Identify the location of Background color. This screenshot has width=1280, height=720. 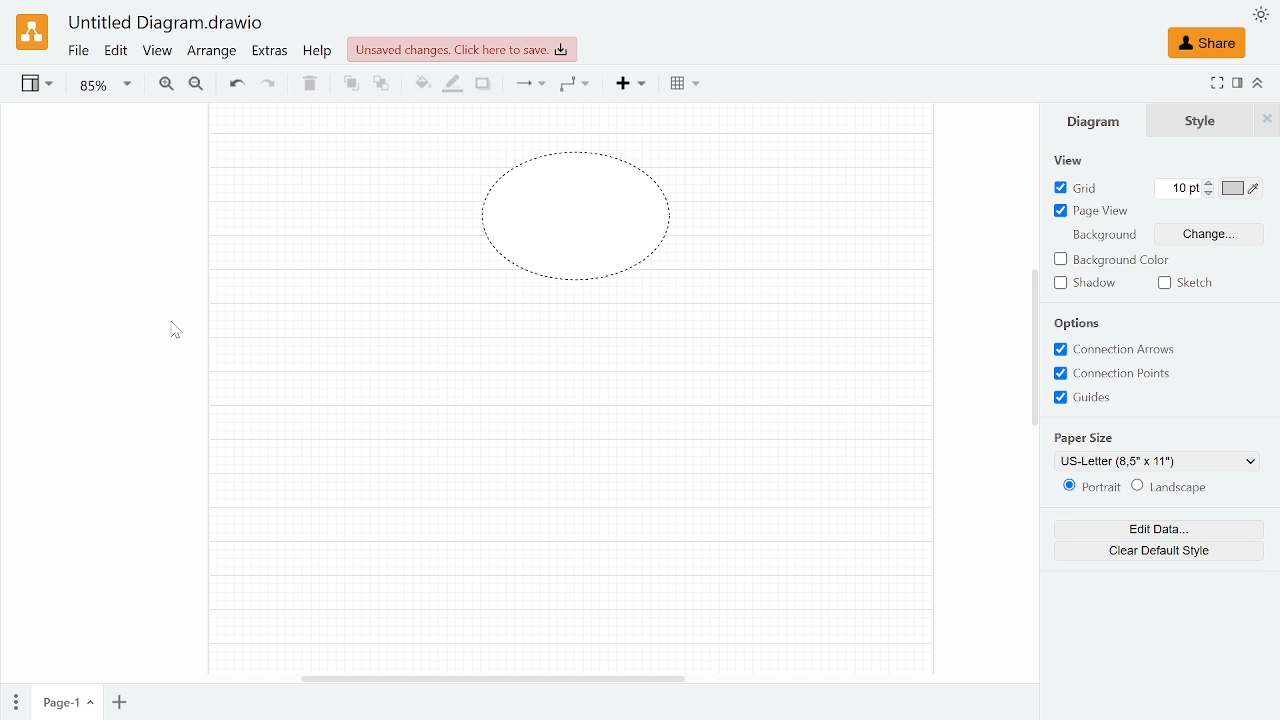
(1111, 259).